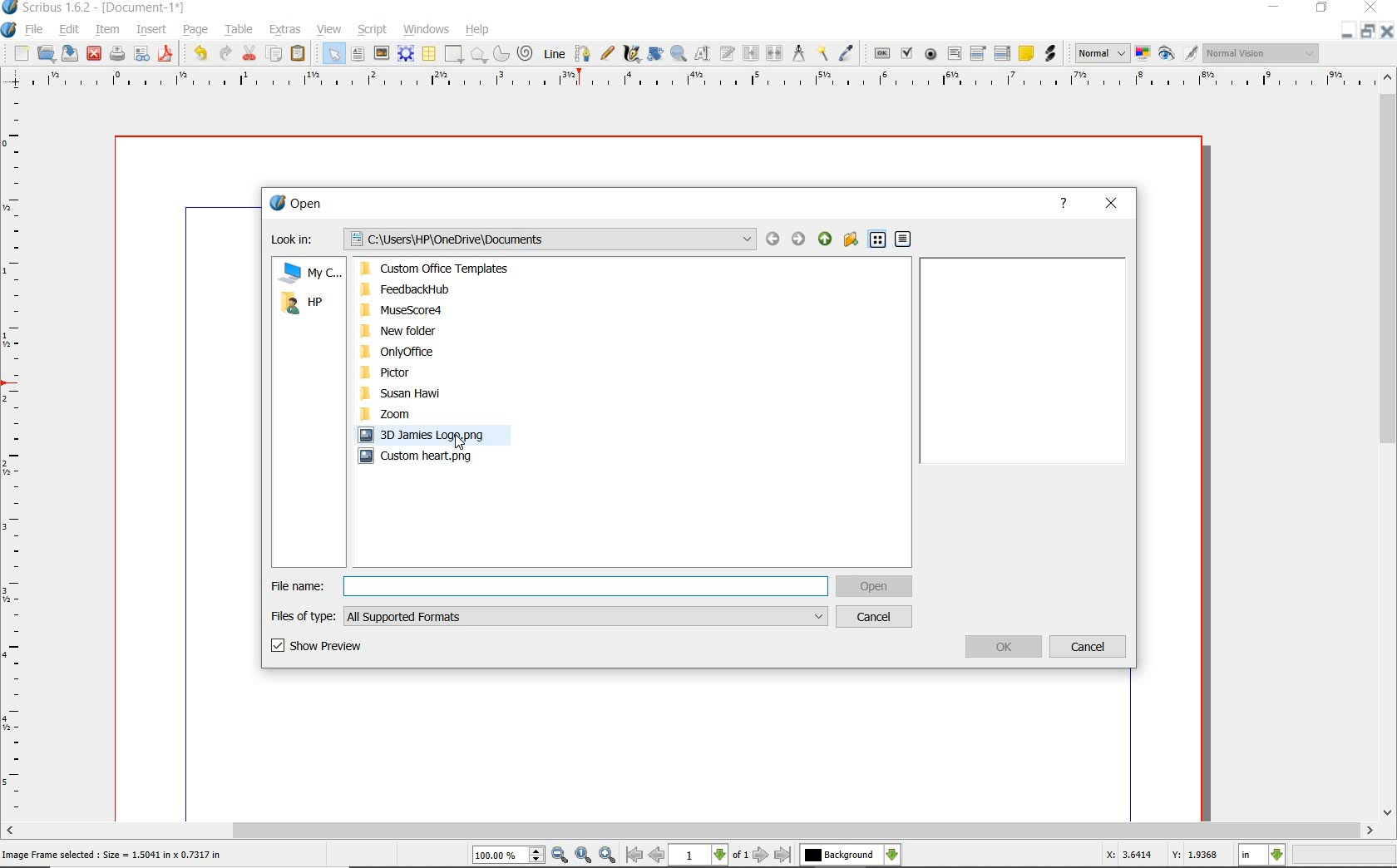 The width and height of the screenshot is (1397, 868). What do you see at coordinates (582, 53) in the screenshot?
I see `bezier curve` at bounding box center [582, 53].